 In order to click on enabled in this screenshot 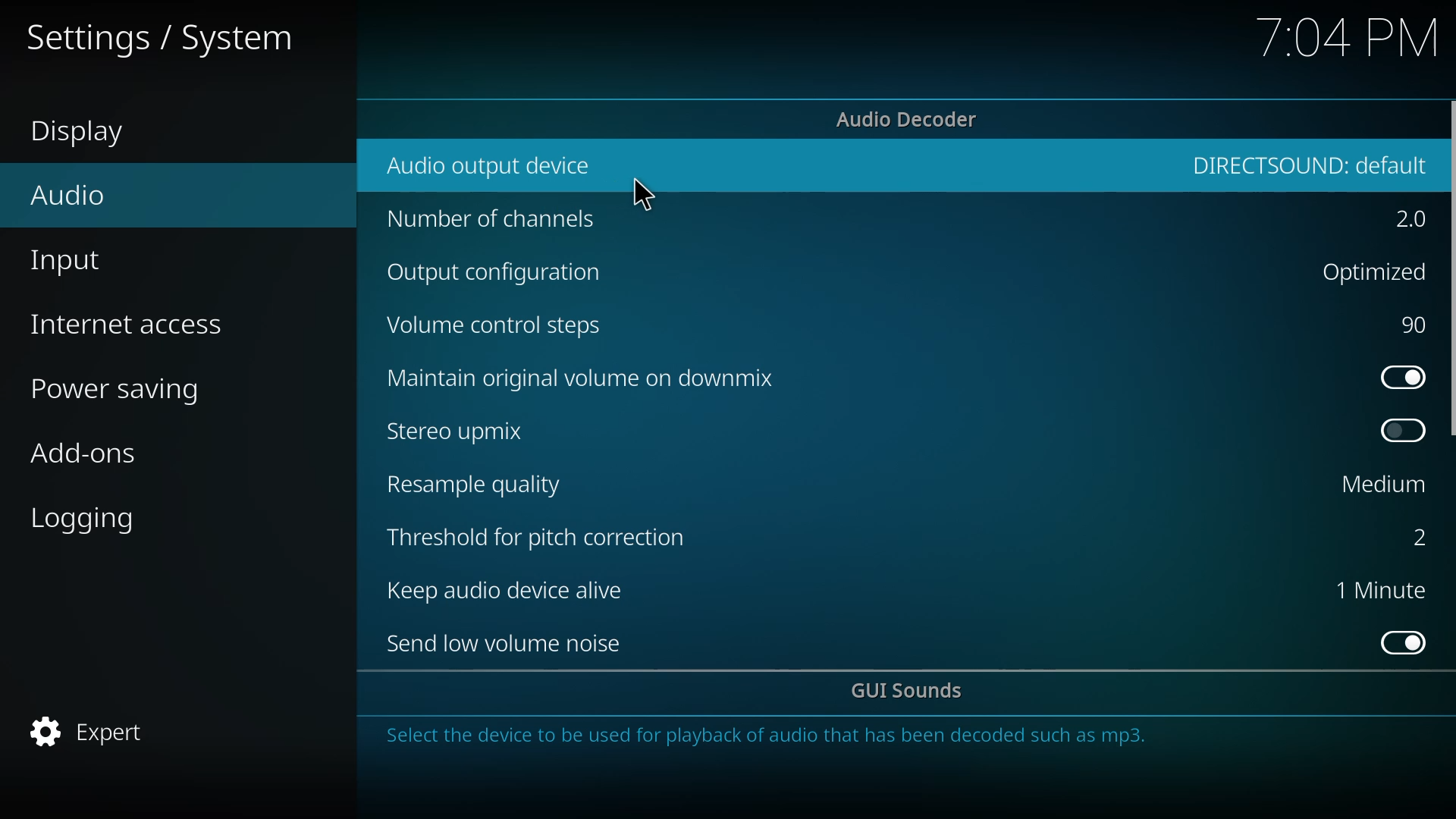, I will do `click(1402, 377)`.